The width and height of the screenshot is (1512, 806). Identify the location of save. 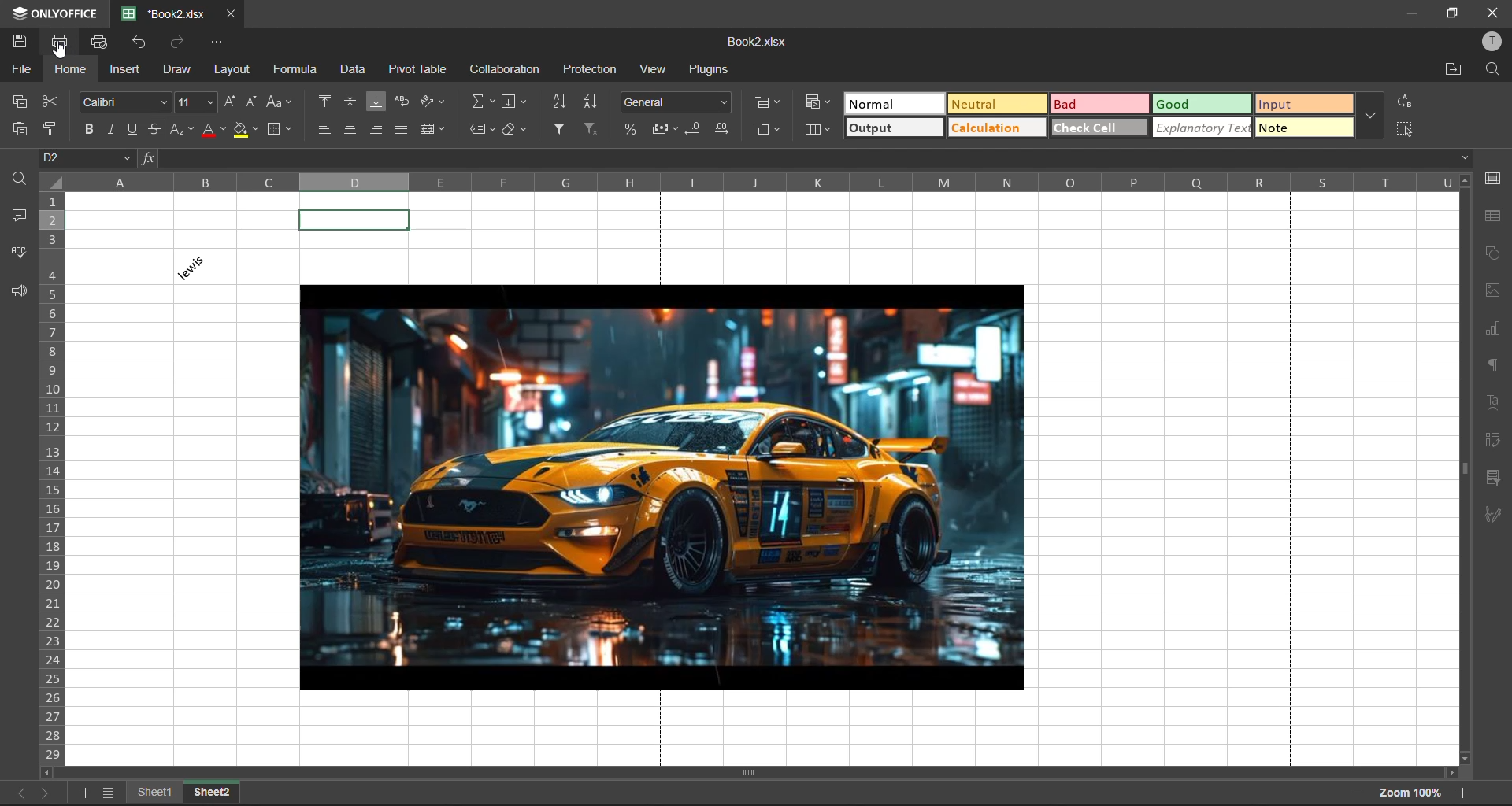
(25, 44).